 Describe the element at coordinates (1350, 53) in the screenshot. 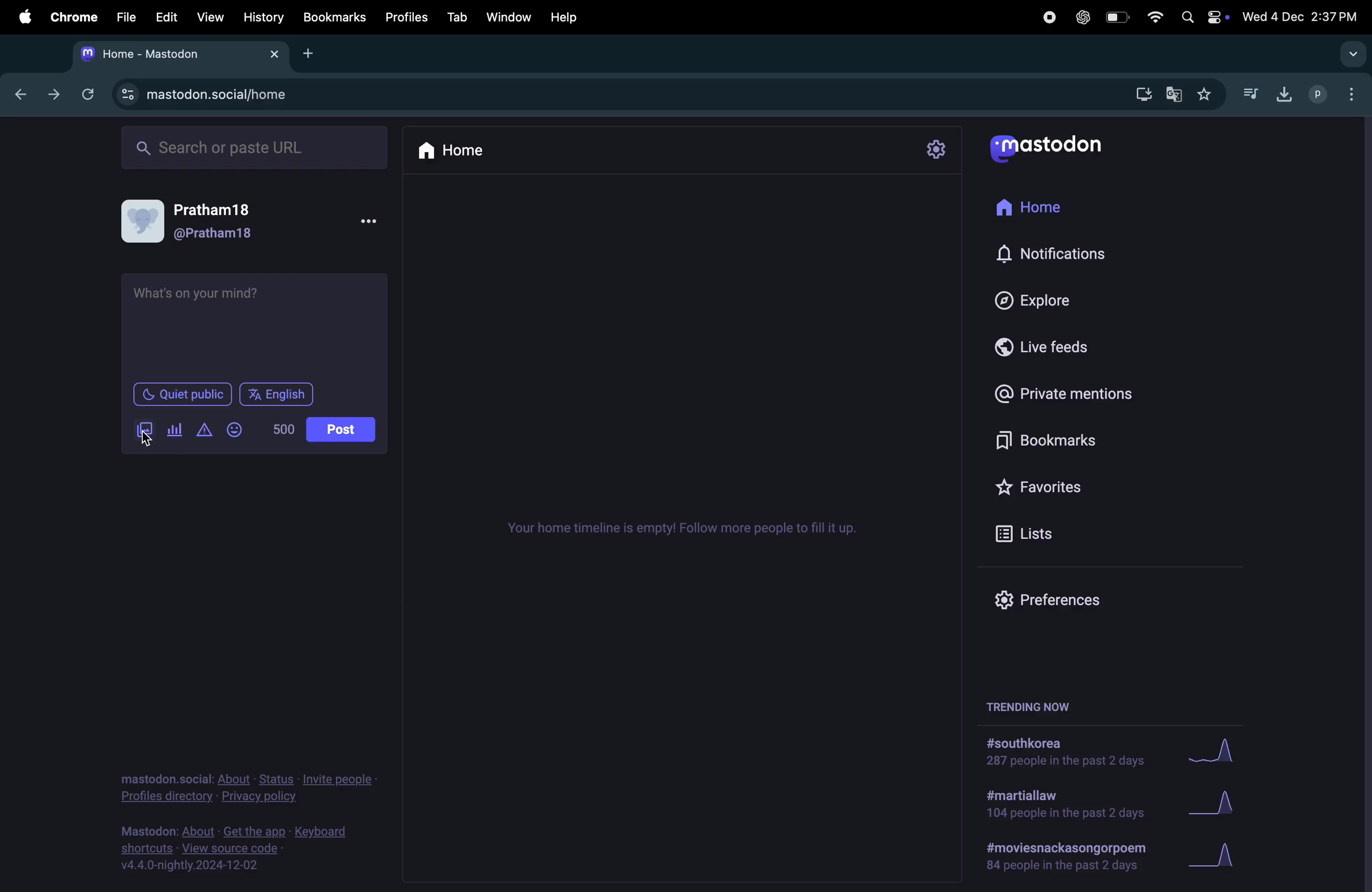

I see `drop down` at that location.